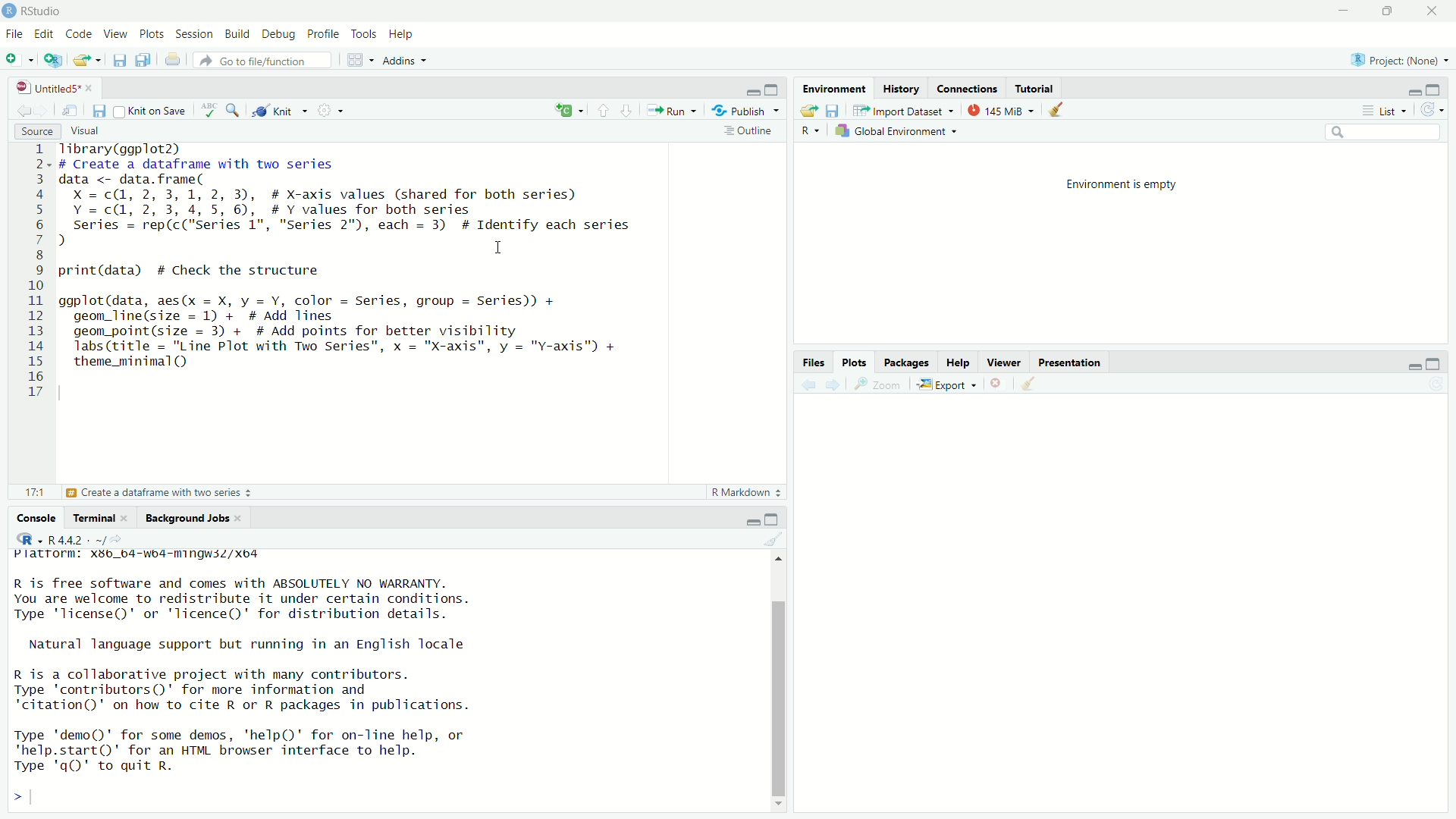  What do you see at coordinates (77, 36) in the screenshot?
I see `Code` at bounding box center [77, 36].